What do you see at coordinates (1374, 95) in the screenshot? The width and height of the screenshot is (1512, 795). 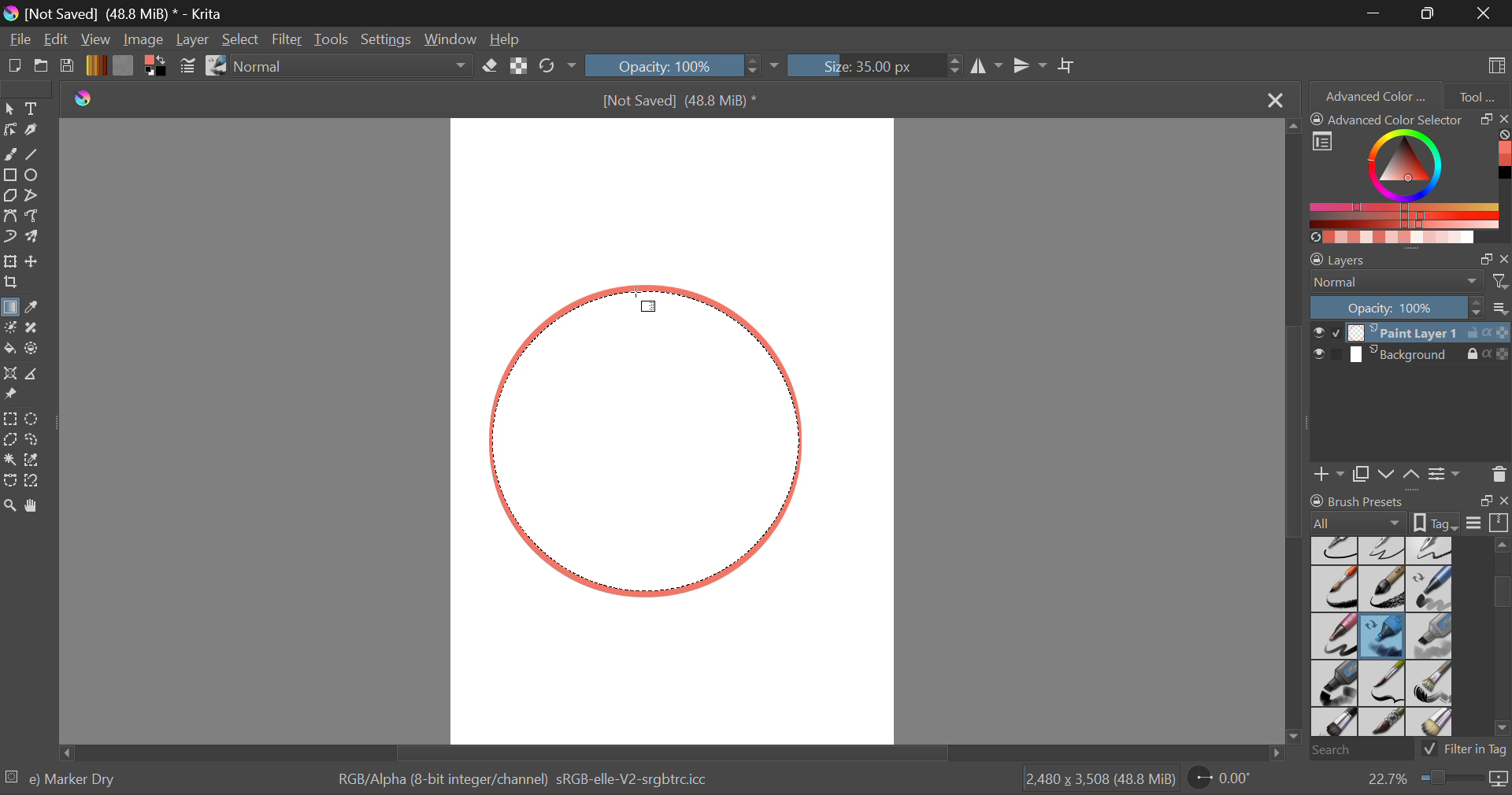 I see `Advanced Color Selector Tab Open` at bounding box center [1374, 95].